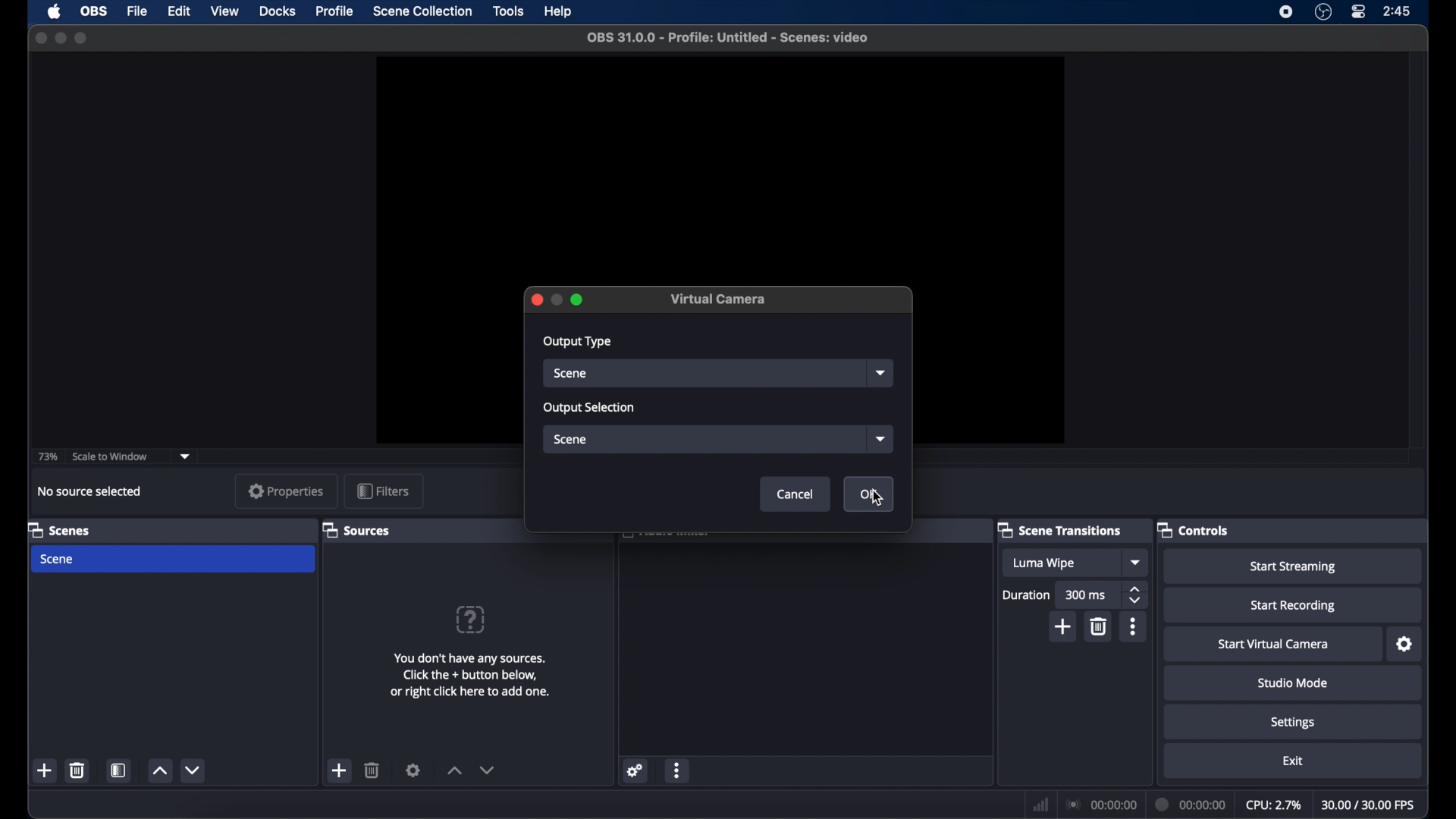 This screenshot has height=819, width=1456. I want to click on cursor, so click(877, 498).